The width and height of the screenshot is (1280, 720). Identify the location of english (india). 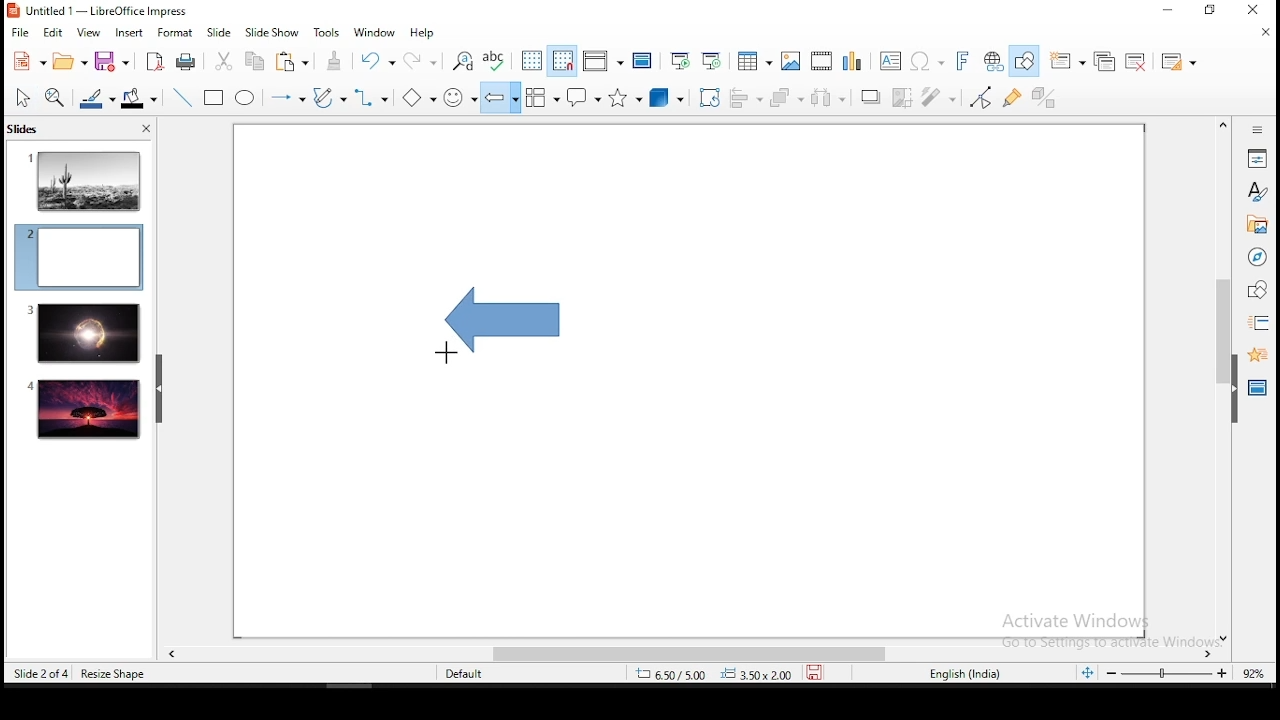
(968, 674).